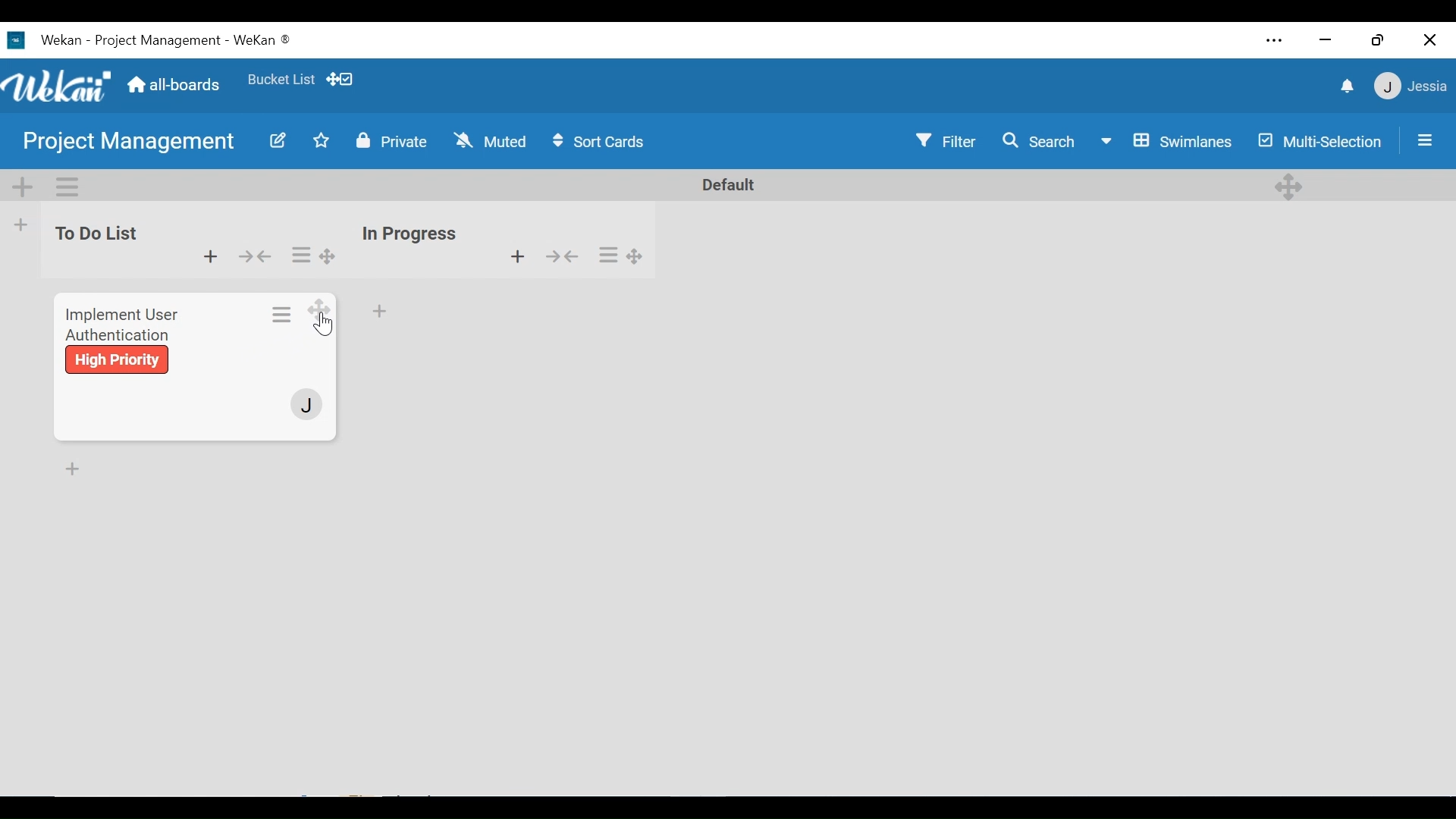 The width and height of the screenshot is (1456, 819). What do you see at coordinates (492, 142) in the screenshot?
I see `\ Muted` at bounding box center [492, 142].